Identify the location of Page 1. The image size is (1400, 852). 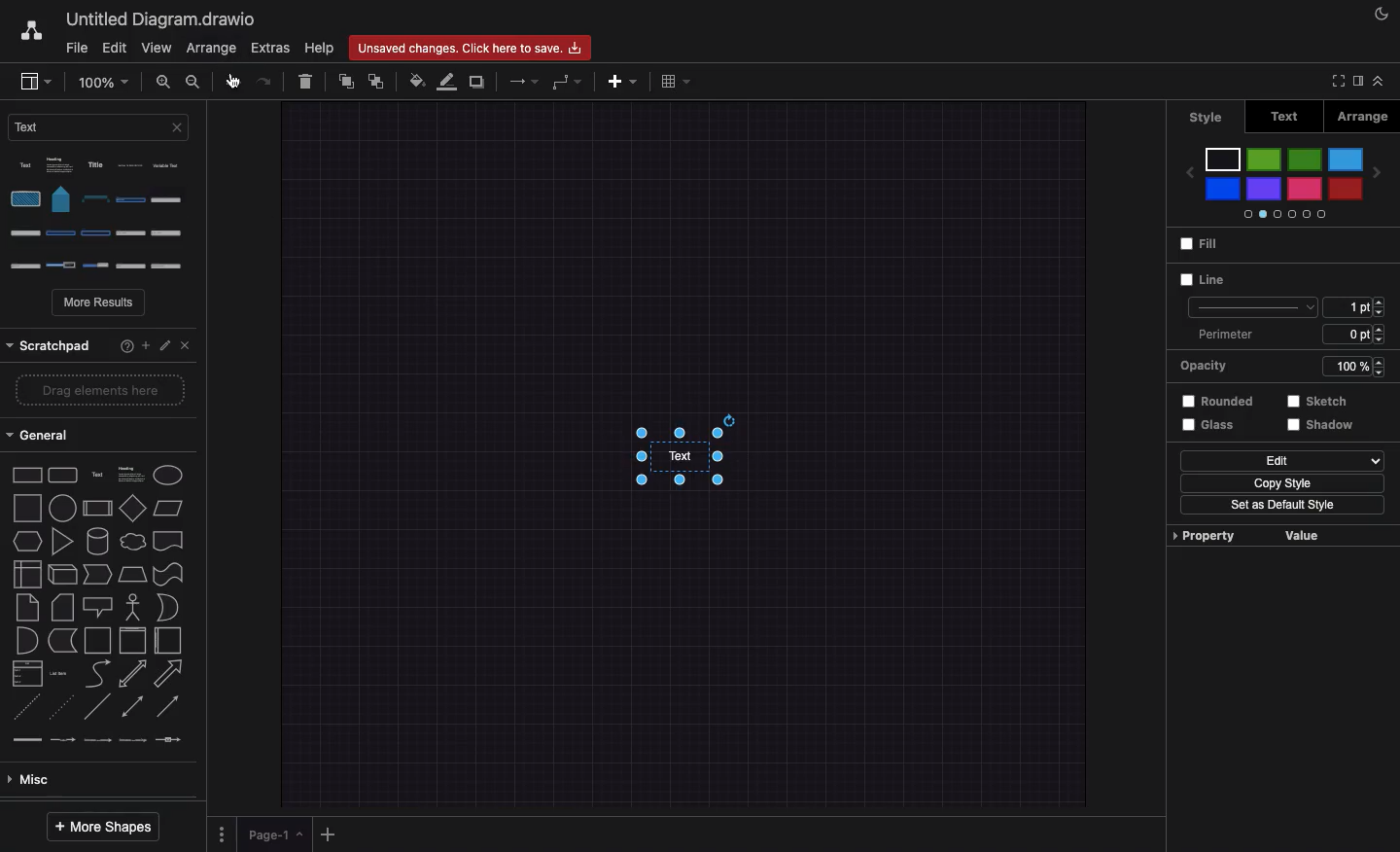
(277, 835).